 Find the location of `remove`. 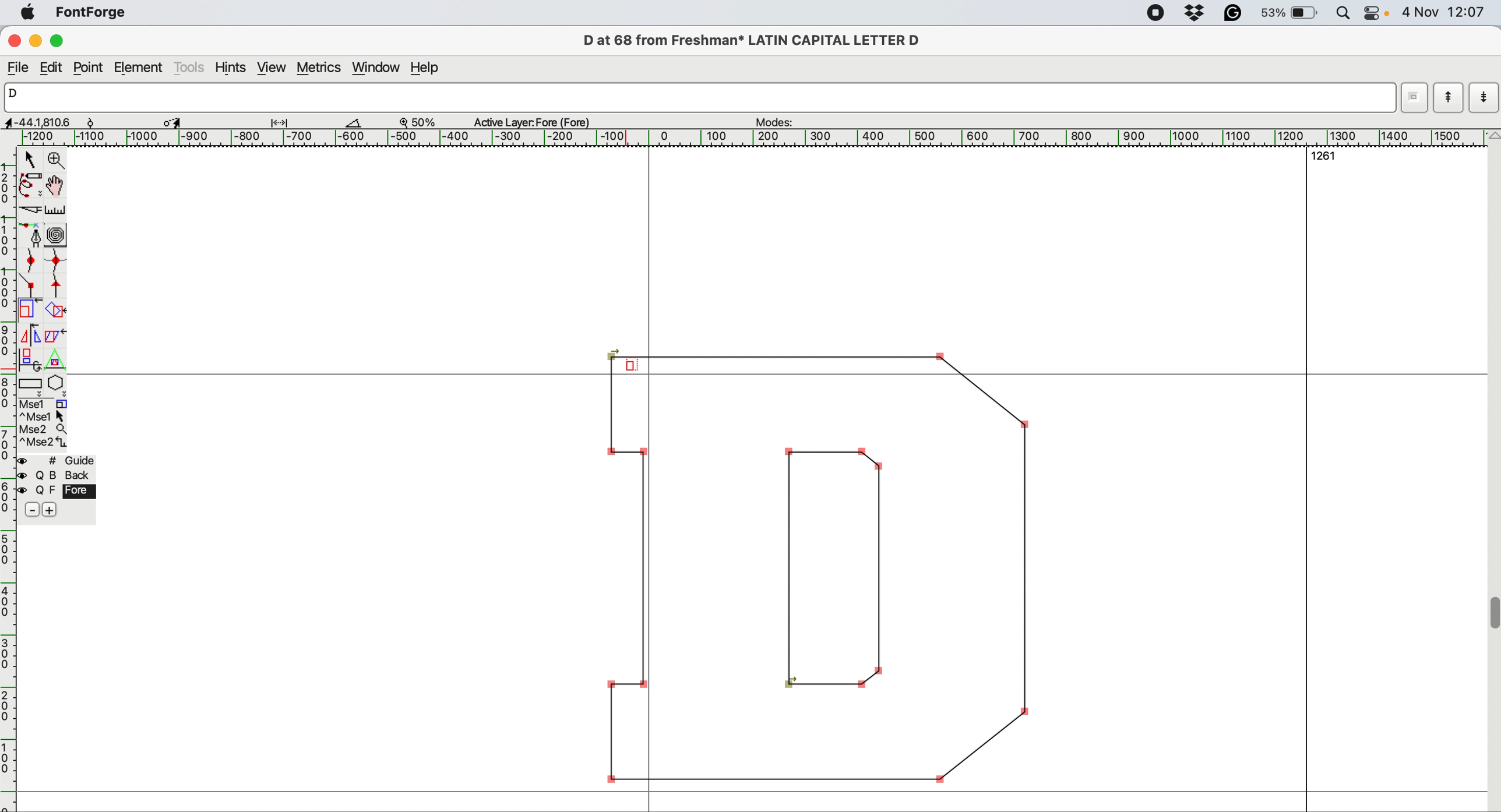

remove is located at coordinates (29, 510).